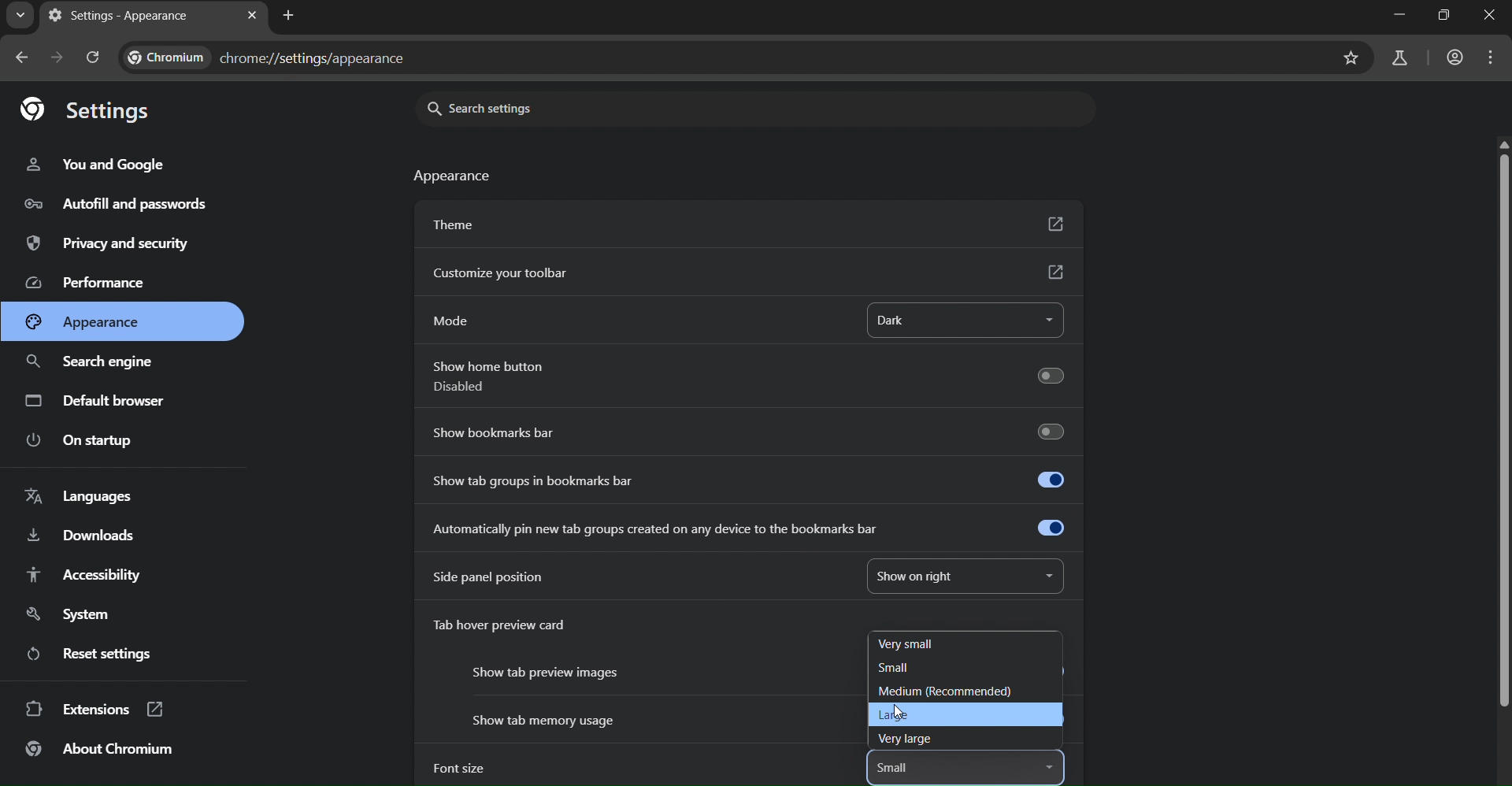 The height and width of the screenshot is (786, 1512). What do you see at coordinates (18, 58) in the screenshot?
I see `go back one page` at bounding box center [18, 58].